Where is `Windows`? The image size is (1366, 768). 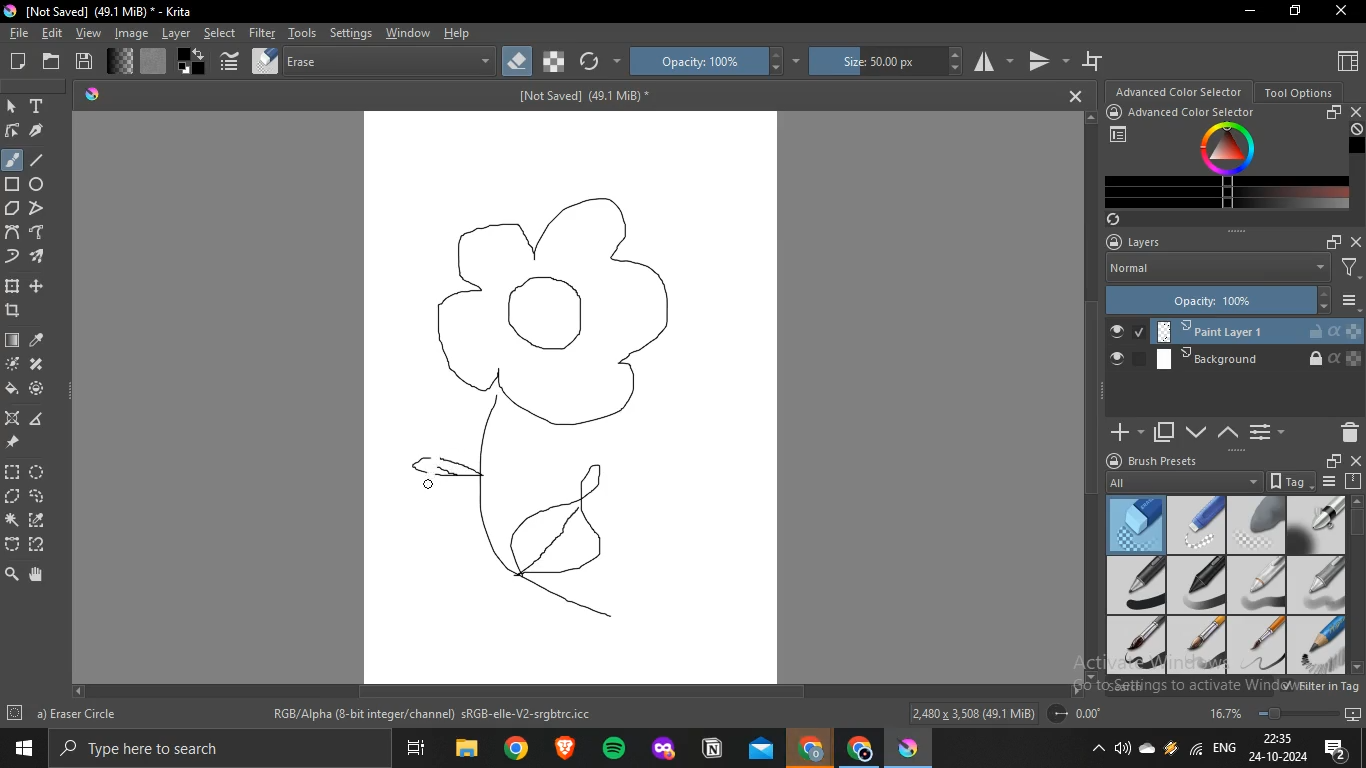
Windows is located at coordinates (20, 748).